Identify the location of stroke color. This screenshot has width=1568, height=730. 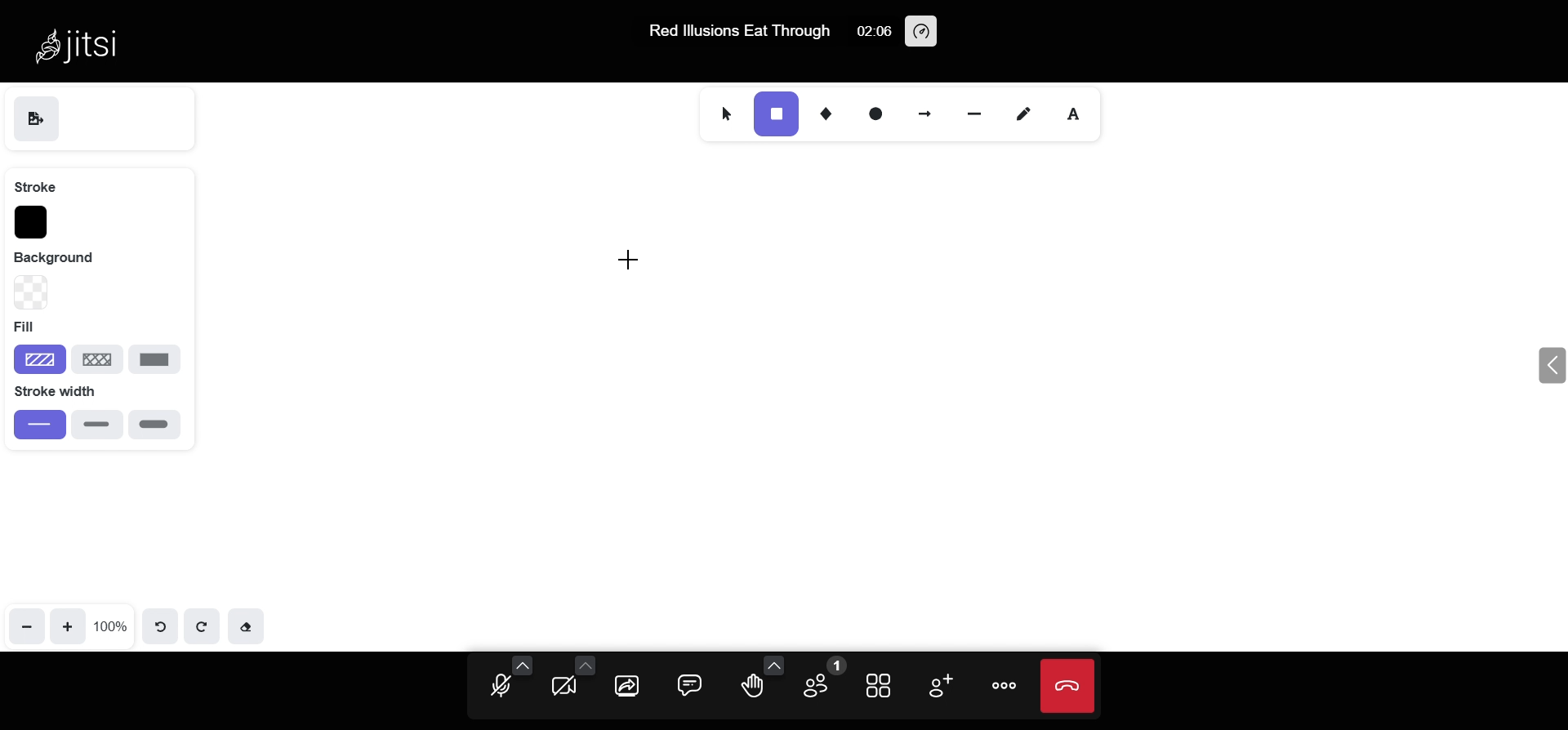
(31, 222).